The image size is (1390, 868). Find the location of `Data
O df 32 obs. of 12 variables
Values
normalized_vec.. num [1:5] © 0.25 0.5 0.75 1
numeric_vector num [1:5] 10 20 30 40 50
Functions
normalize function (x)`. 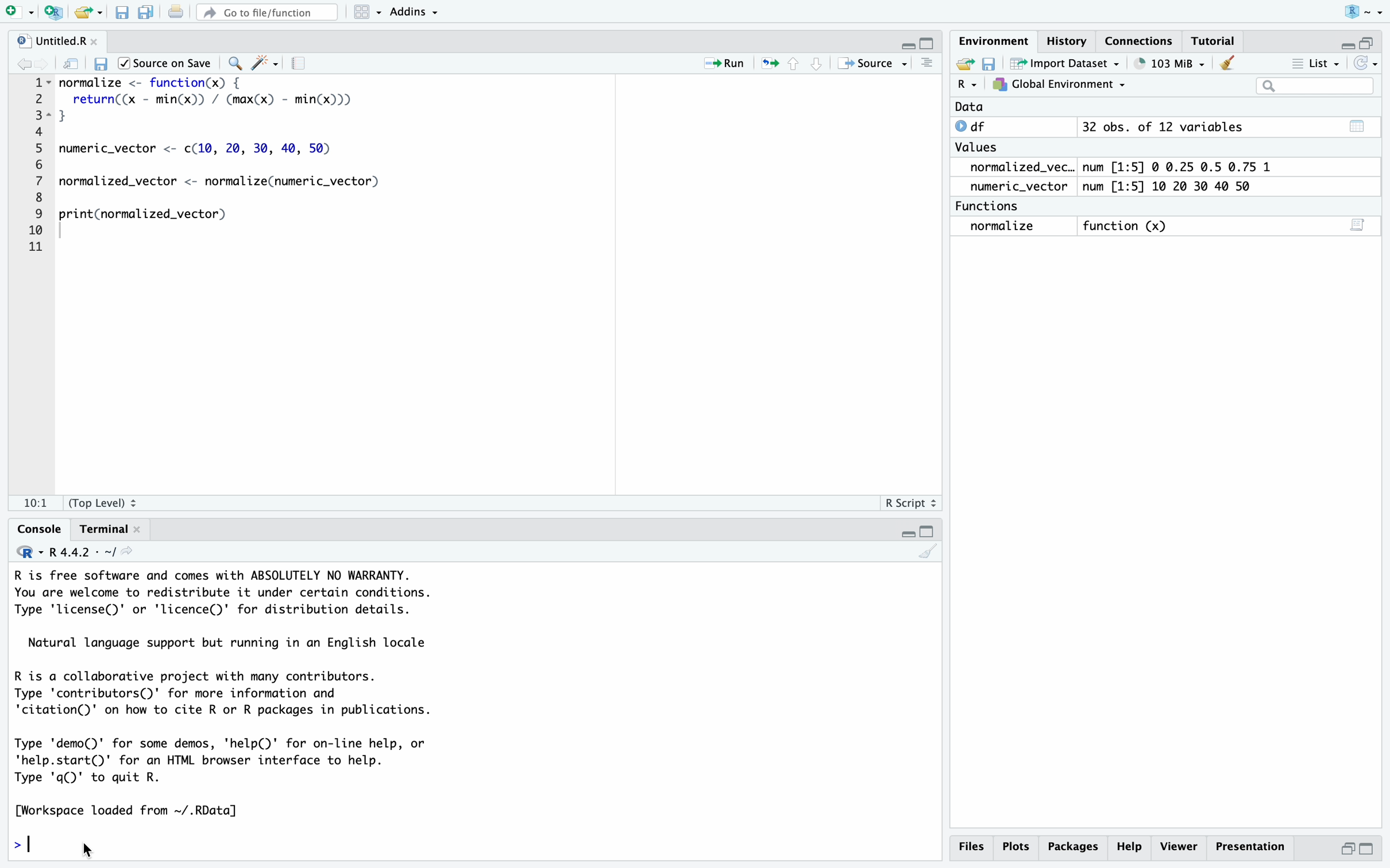

Data
O df 32 obs. of 12 variables
Values
normalized_vec.. num [1:5] © 0.25 0.5 0.75 1
numeric_vector num [1:5] 10 20 30 40 50
Functions
normalize function (x) is located at coordinates (1118, 172).